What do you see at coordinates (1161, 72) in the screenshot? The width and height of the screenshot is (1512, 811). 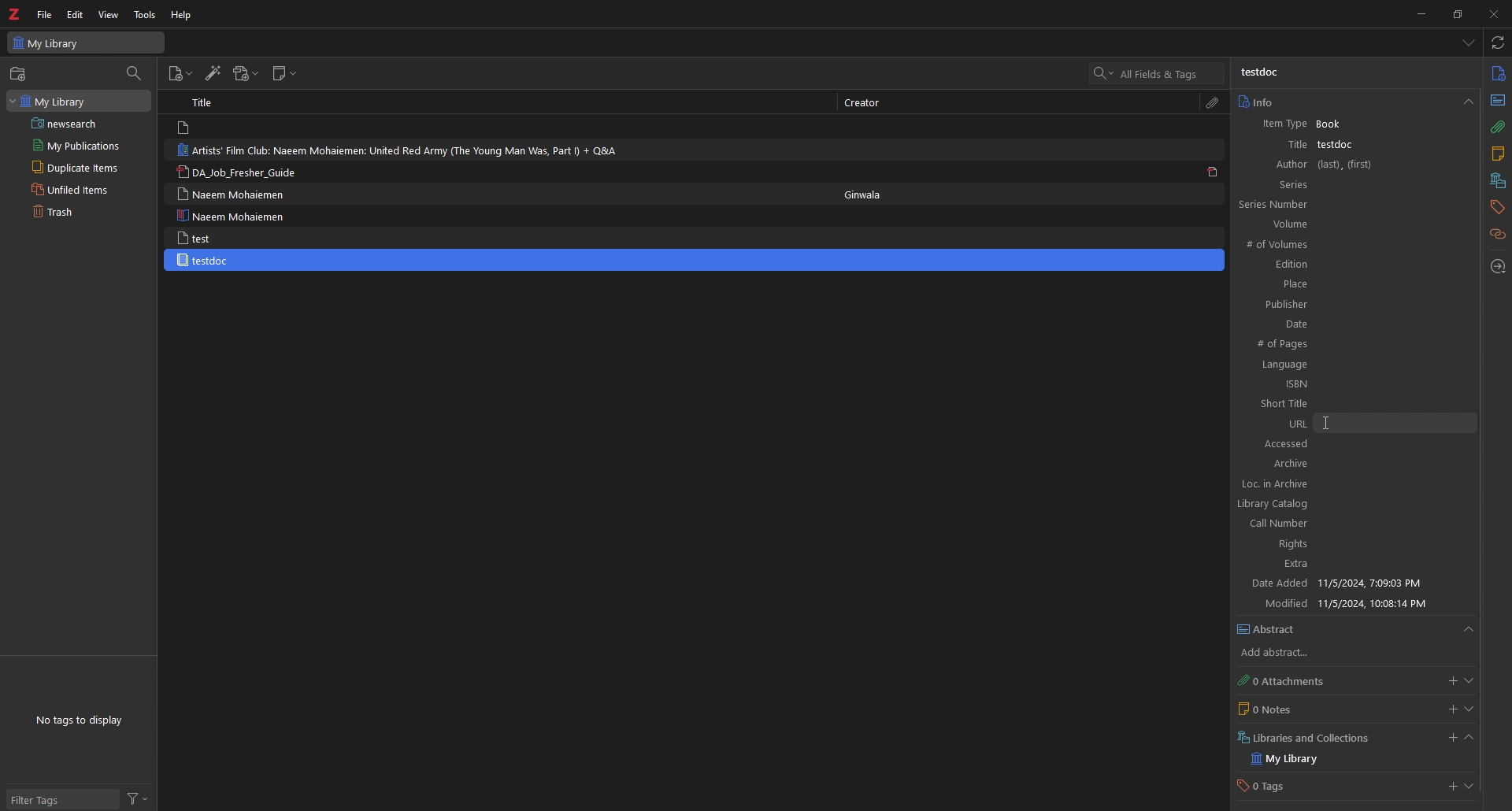 I see `search` at bounding box center [1161, 72].